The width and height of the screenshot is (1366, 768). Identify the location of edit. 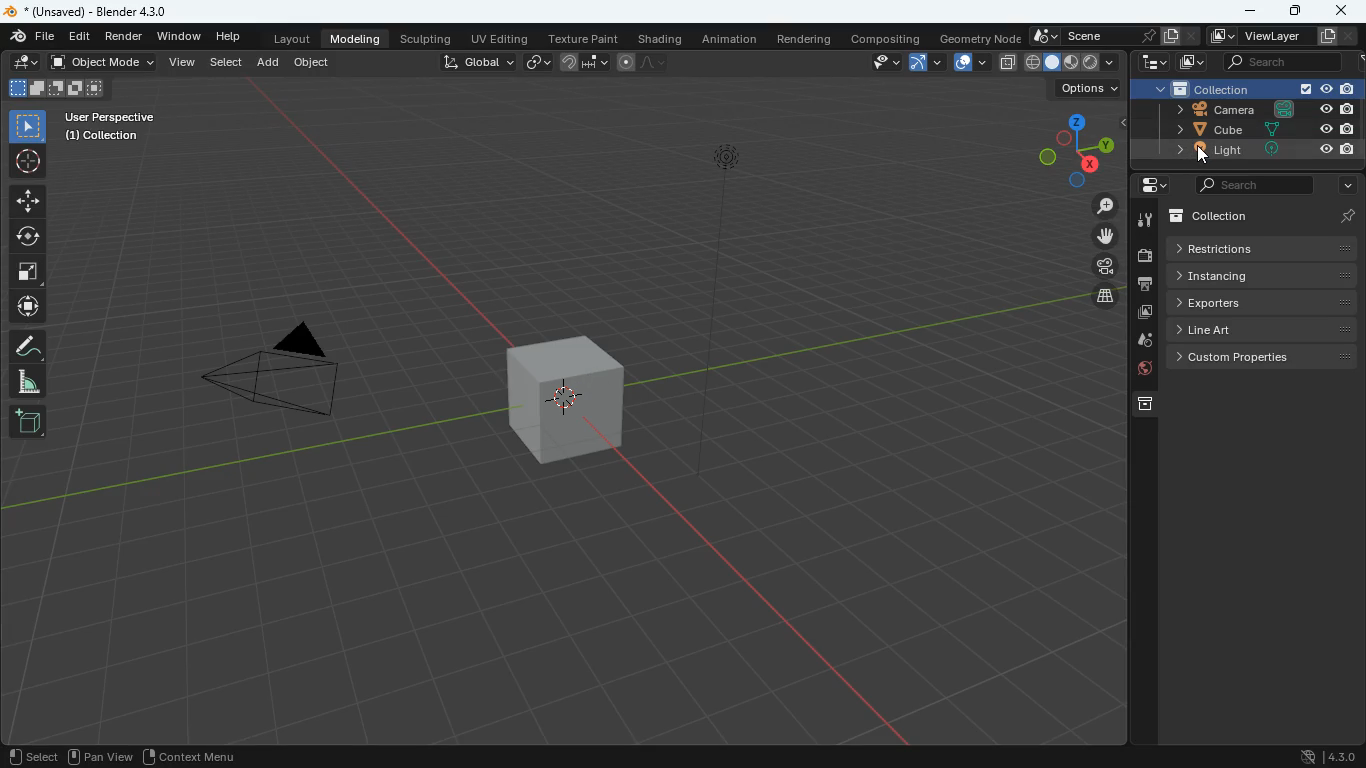
(84, 37).